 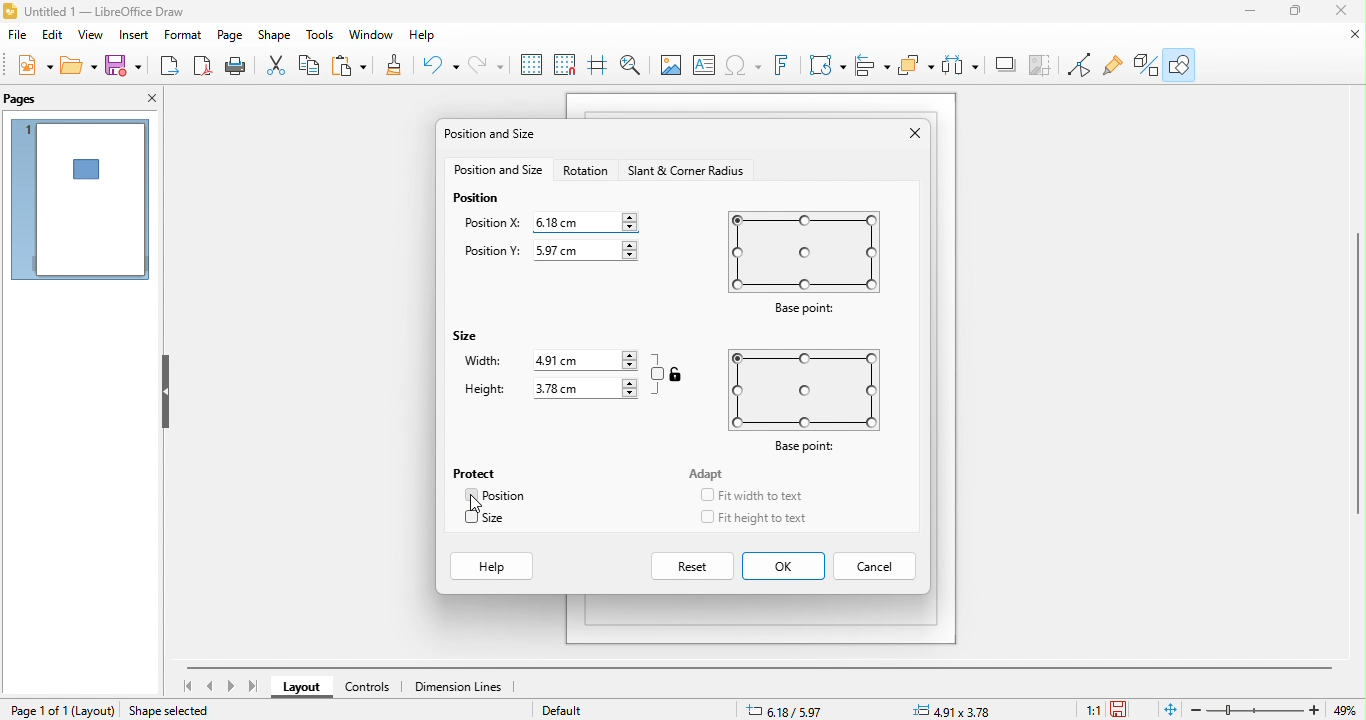 I want to click on 6.18 cm, so click(x=584, y=221).